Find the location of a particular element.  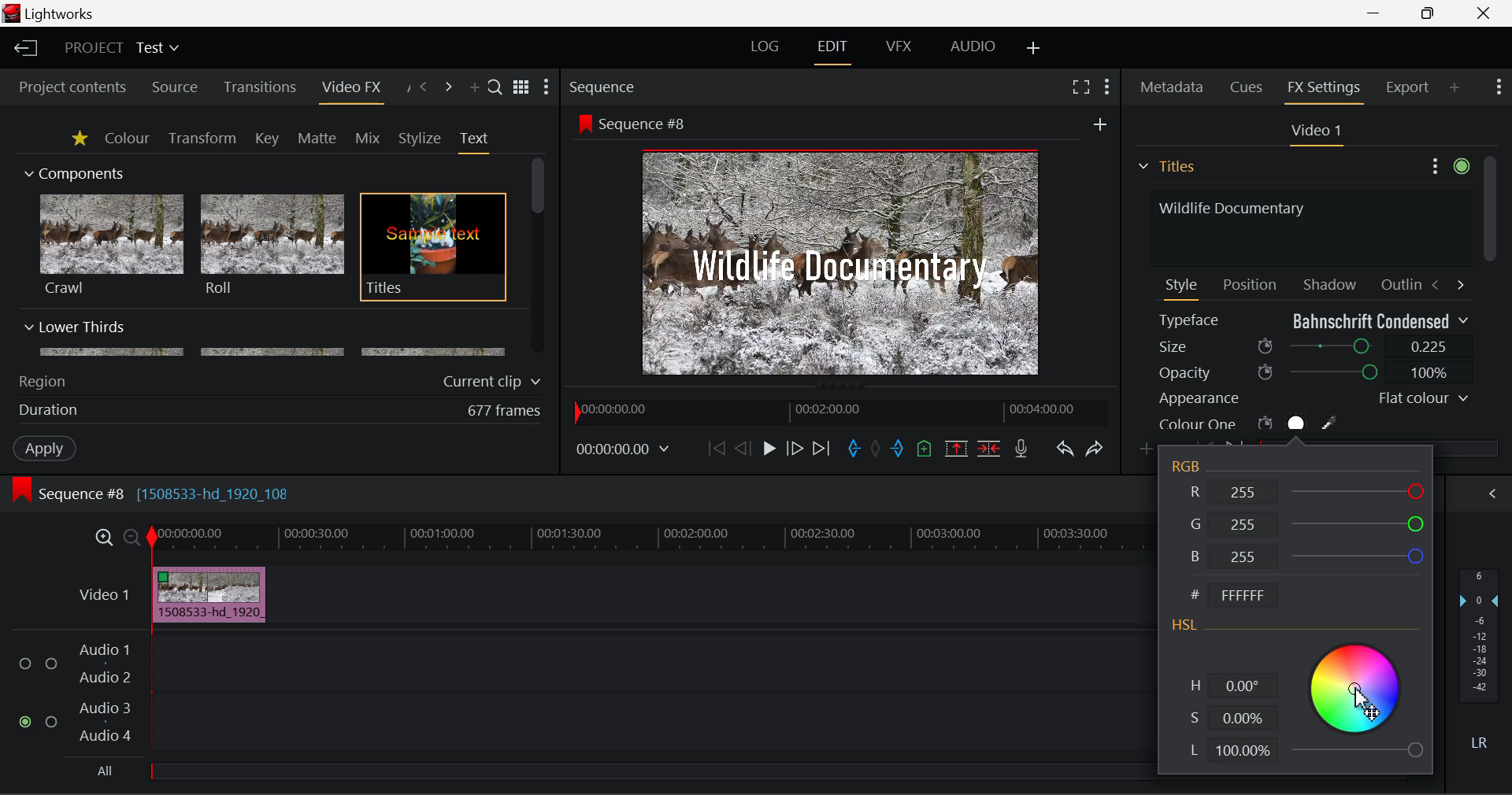

Source is located at coordinates (175, 89).